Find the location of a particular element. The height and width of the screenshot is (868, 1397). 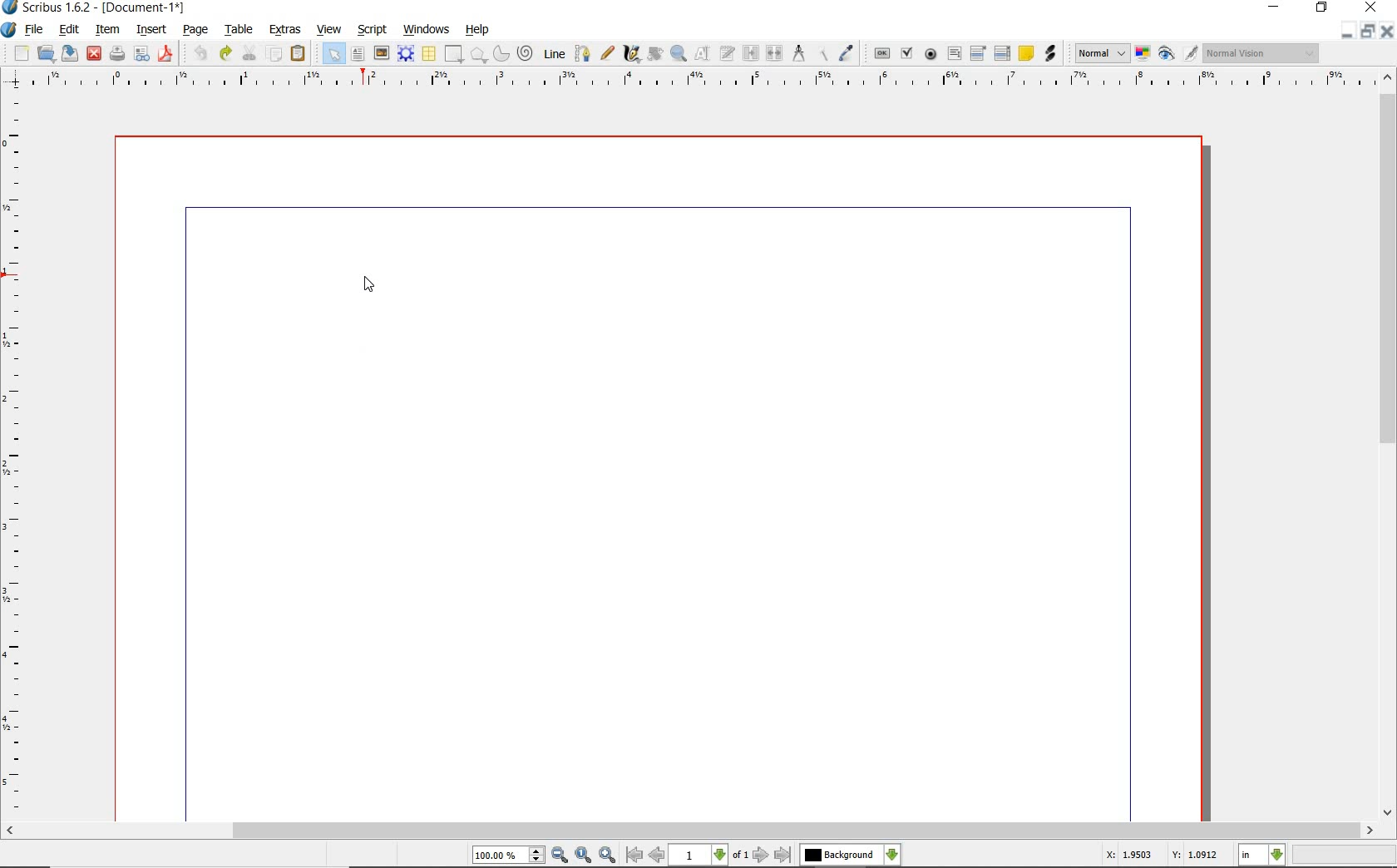

extras is located at coordinates (285, 30).